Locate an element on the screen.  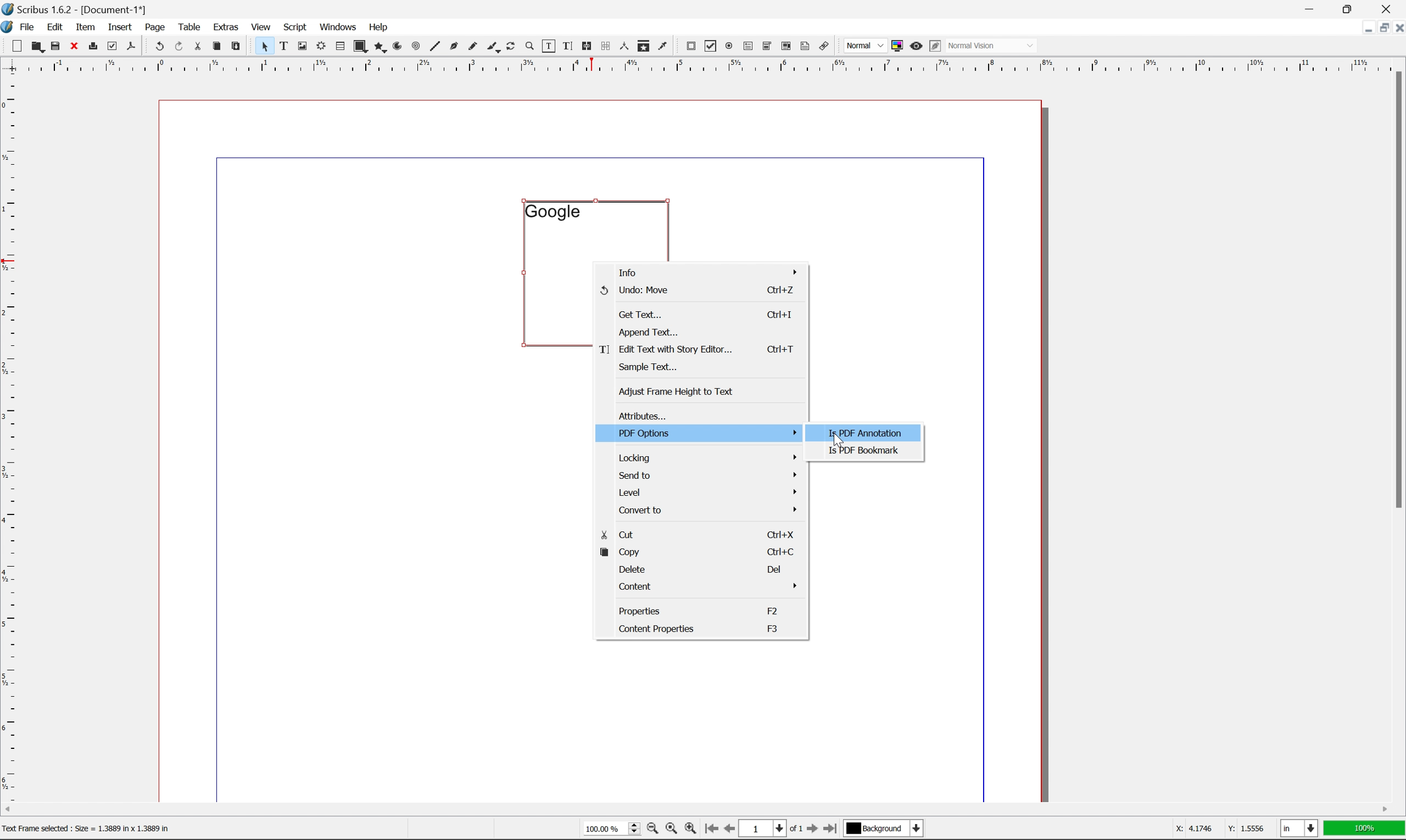
go to first page is located at coordinates (710, 829).